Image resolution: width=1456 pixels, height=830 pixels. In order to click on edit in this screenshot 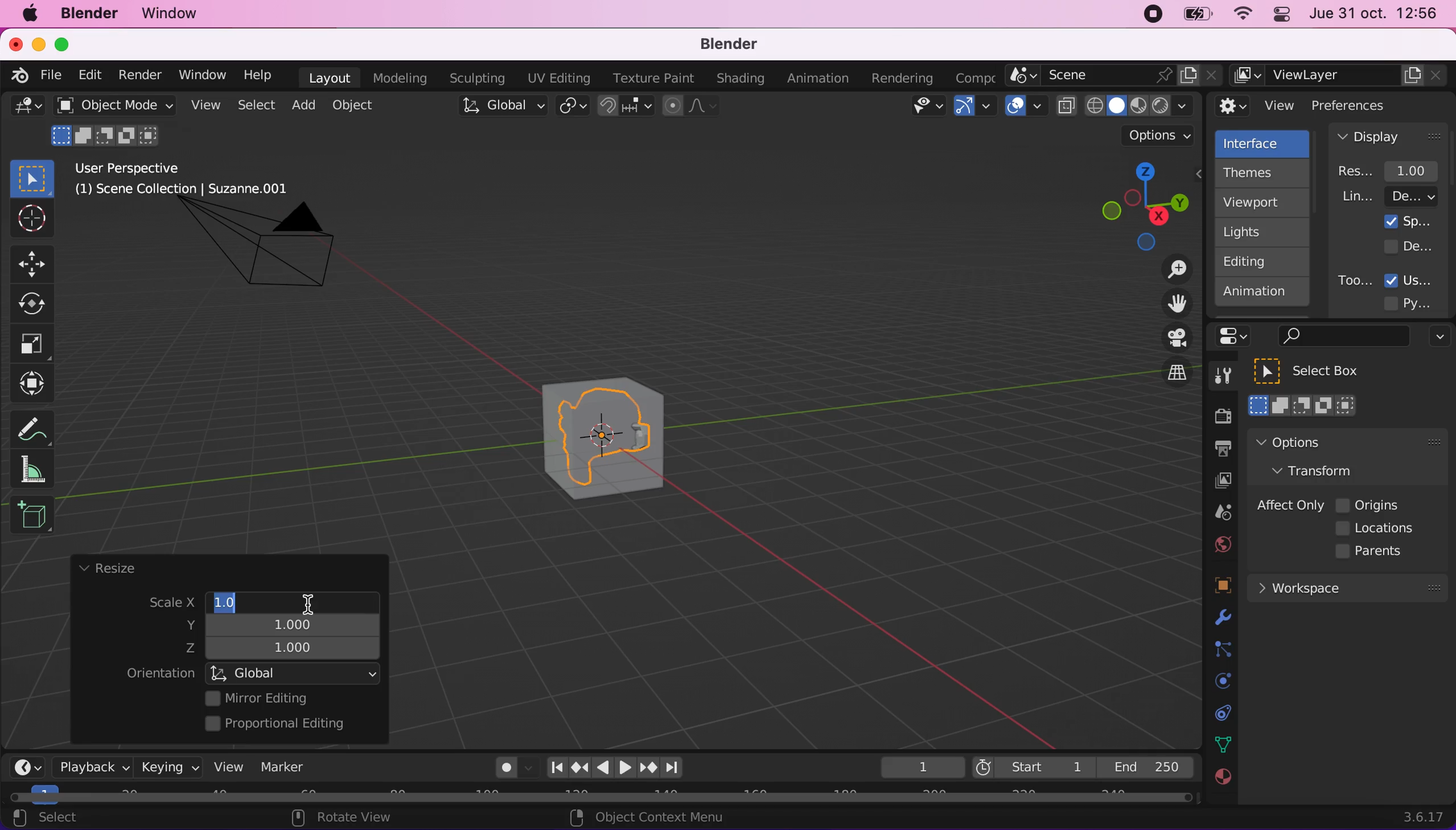, I will do `click(87, 75)`.